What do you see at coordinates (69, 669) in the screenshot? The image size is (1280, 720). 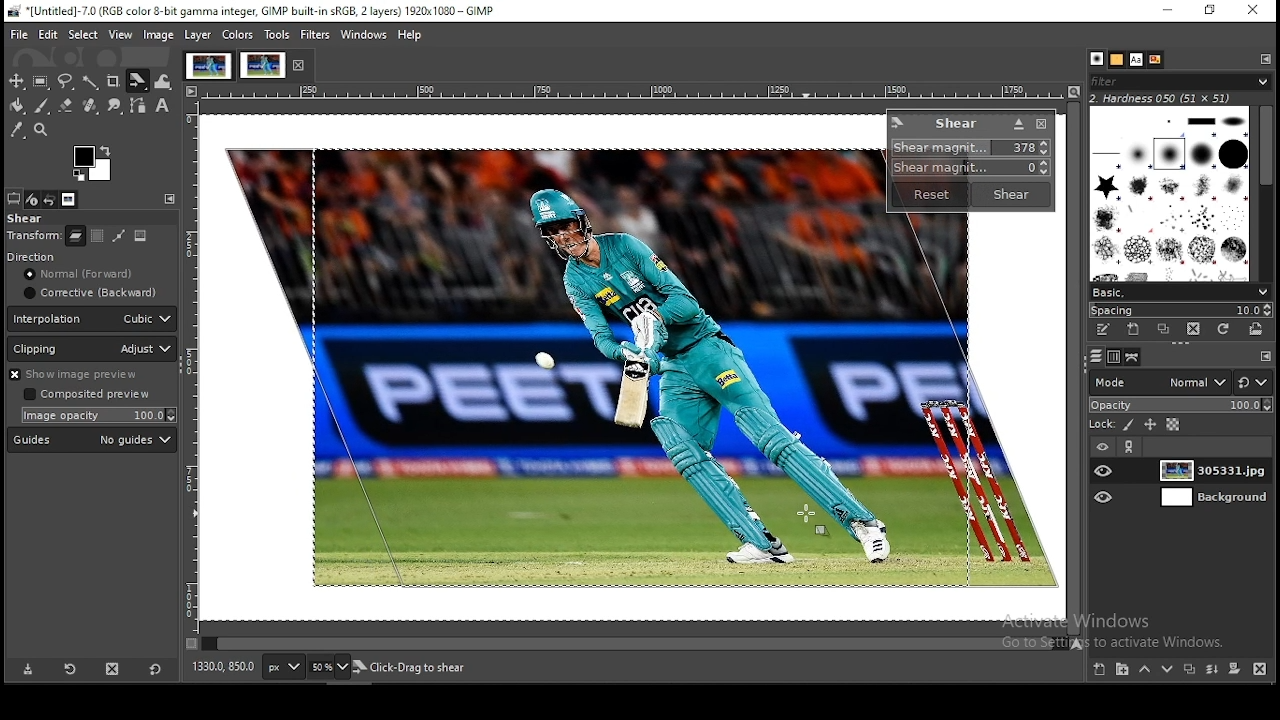 I see `restore tool preset` at bounding box center [69, 669].